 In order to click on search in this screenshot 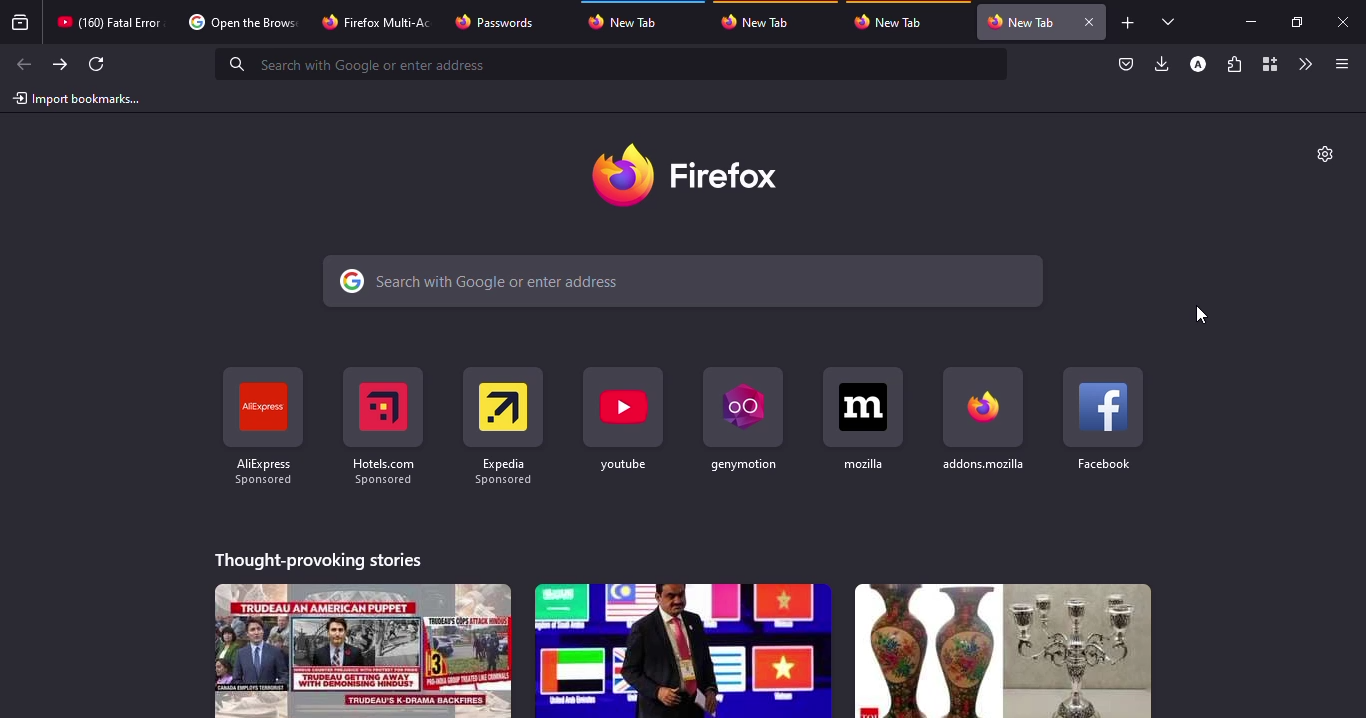, I will do `click(473, 281)`.